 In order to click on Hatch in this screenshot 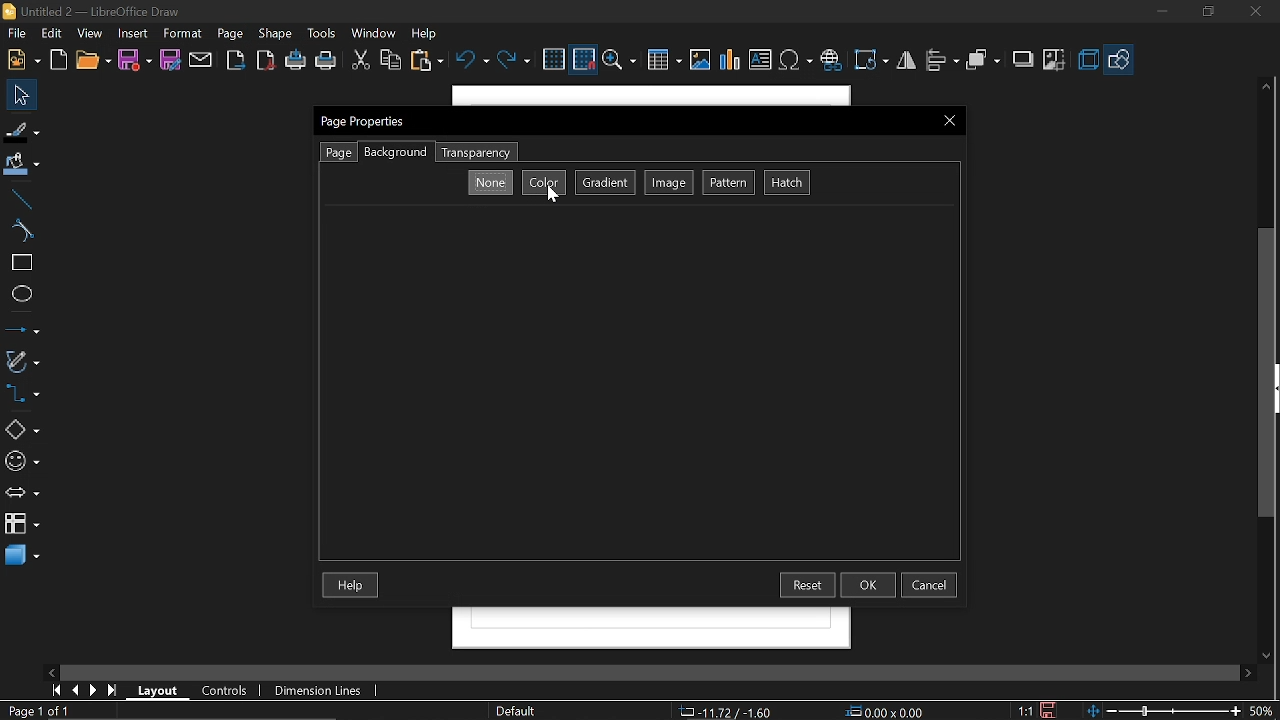, I will do `click(787, 183)`.